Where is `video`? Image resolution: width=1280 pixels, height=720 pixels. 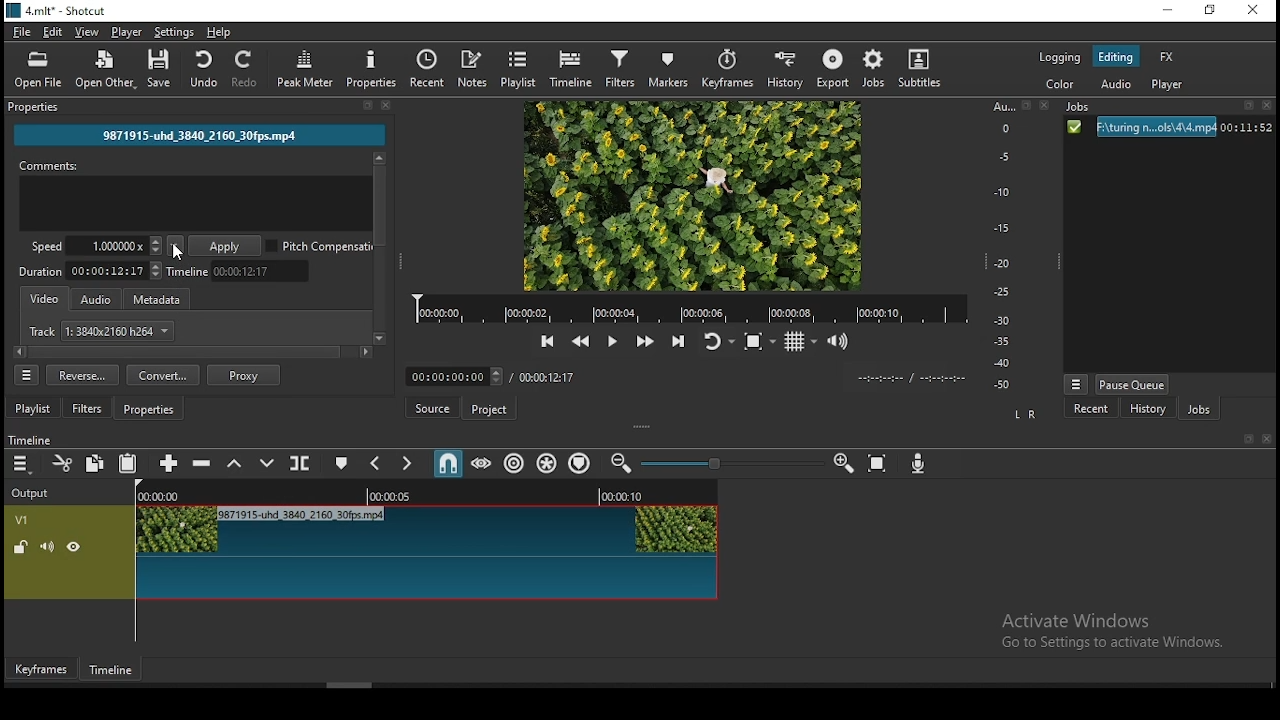 video is located at coordinates (42, 297).